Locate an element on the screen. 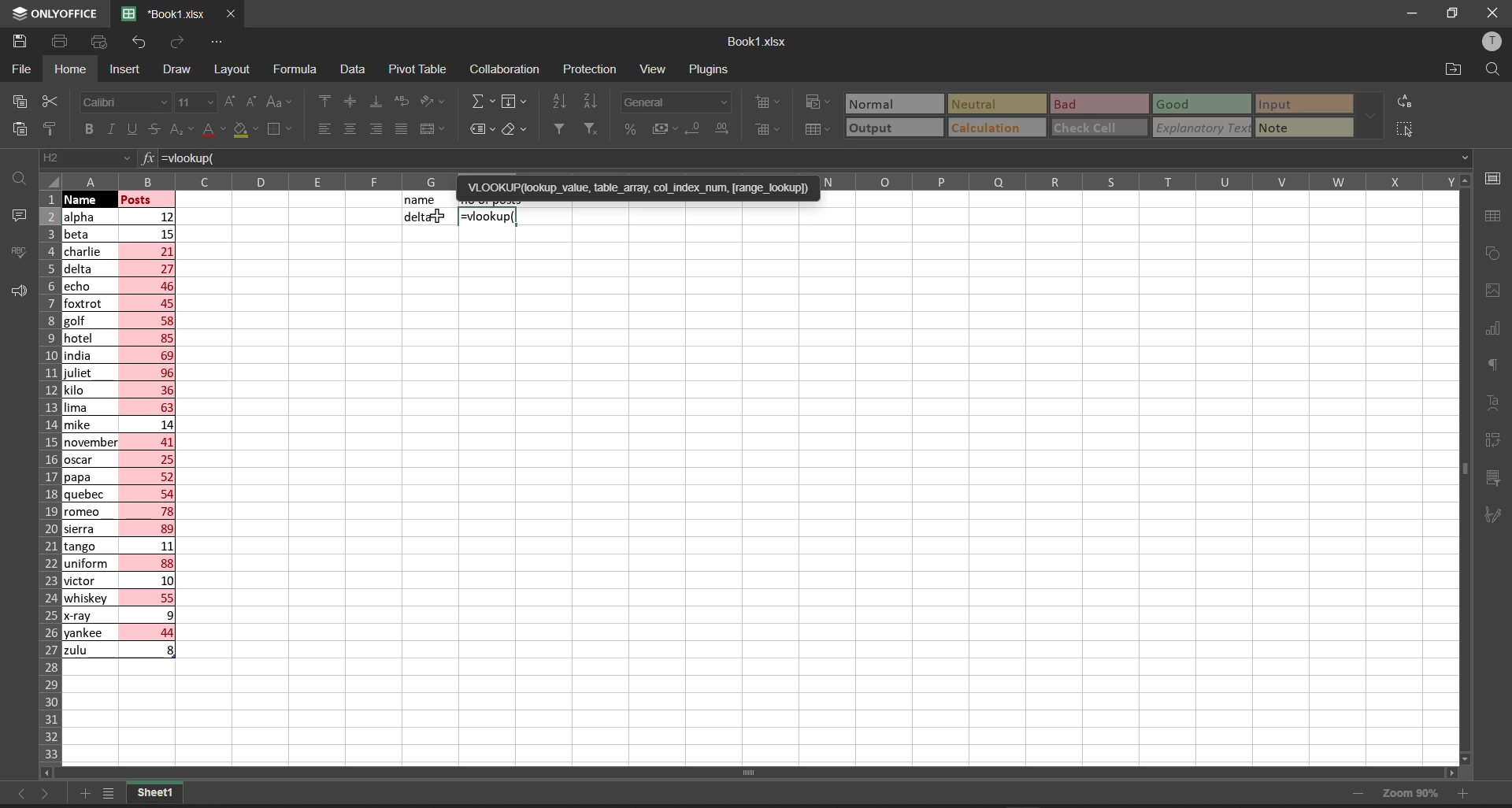 This screenshot has height=808, width=1512. data font additional options is located at coordinates (1369, 112).